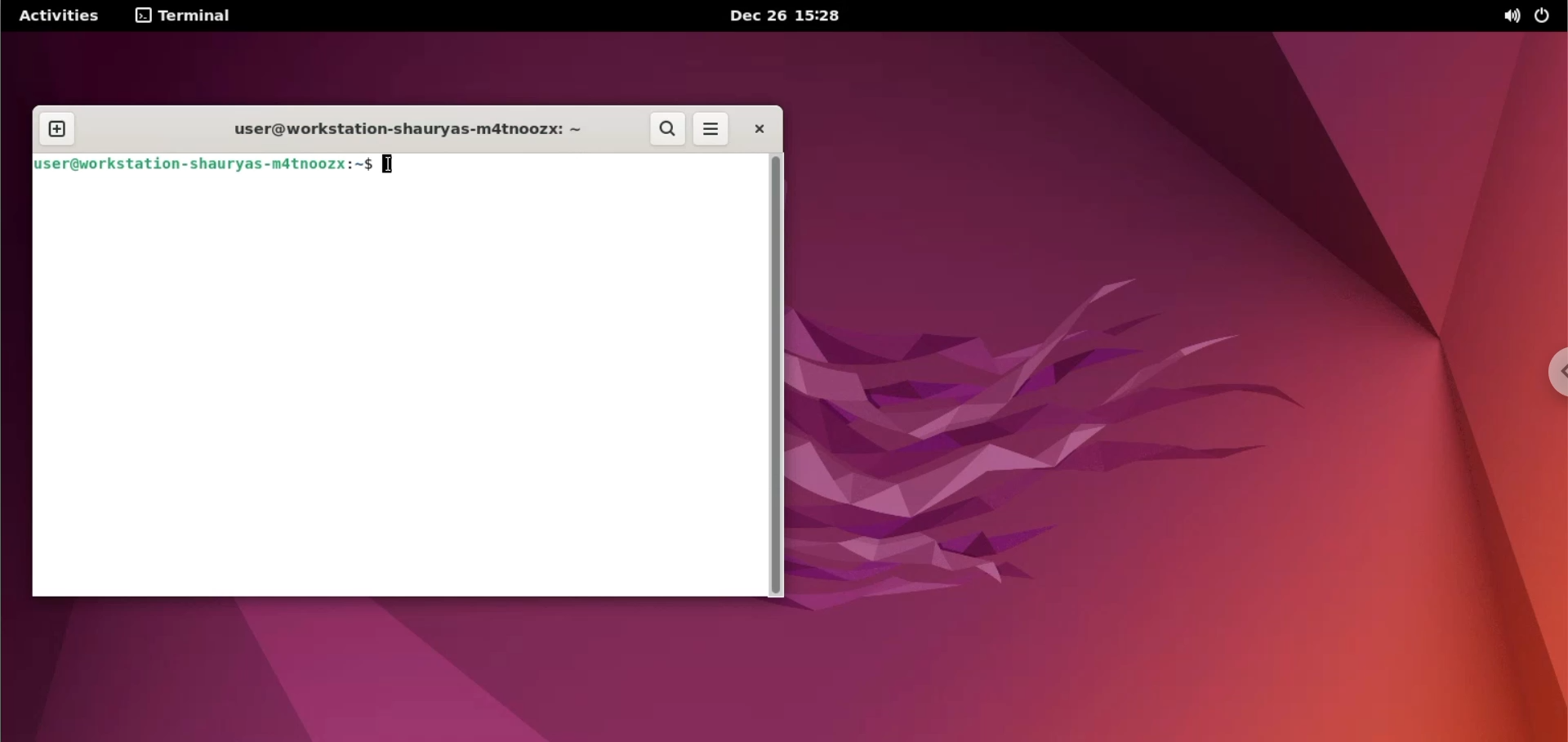  What do you see at coordinates (57, 131) in the screenshot?
I see `new terminal tab` at bounding box center [57, 131].